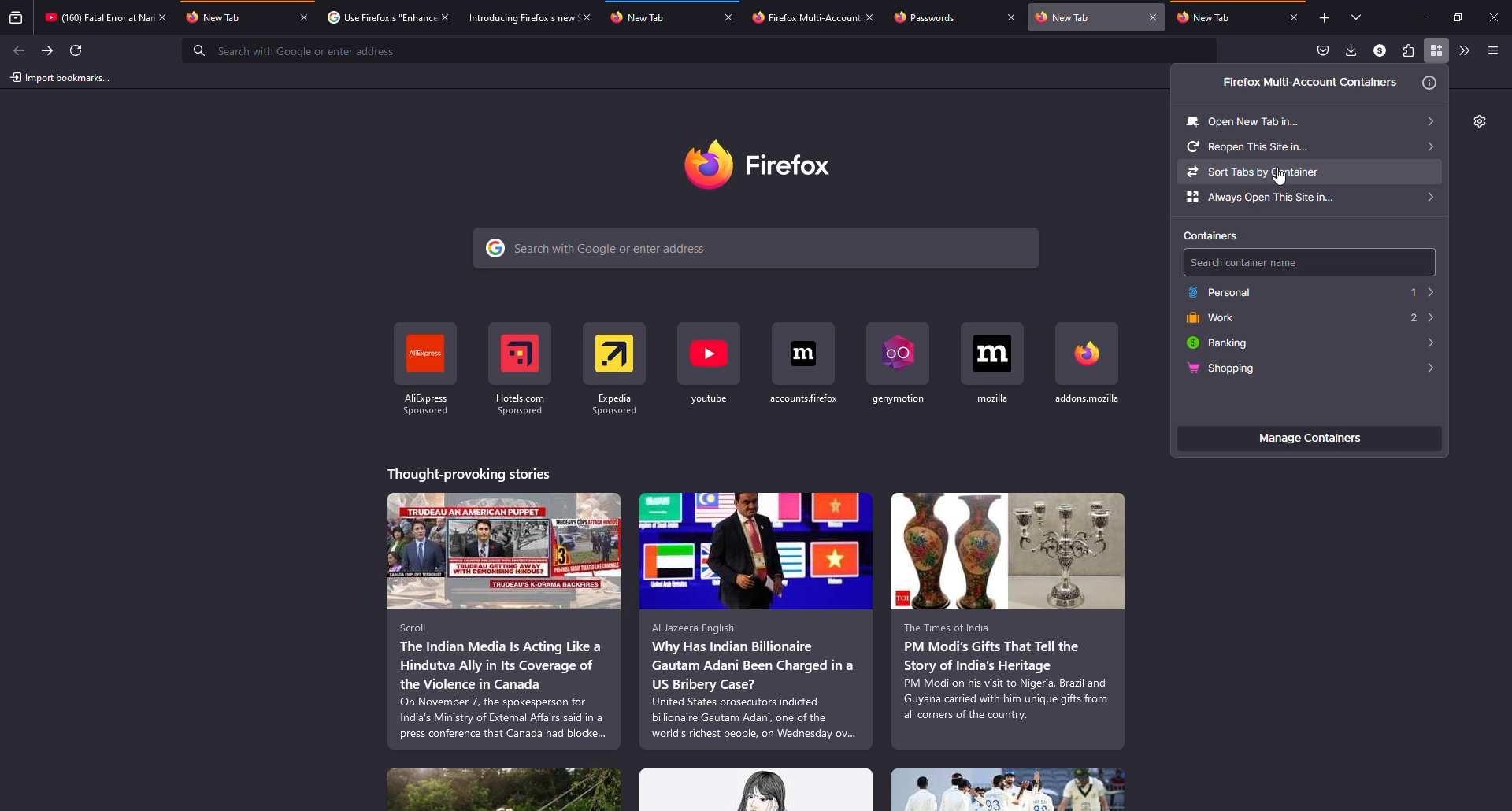  I want to click on personal, so click(1221, 291).